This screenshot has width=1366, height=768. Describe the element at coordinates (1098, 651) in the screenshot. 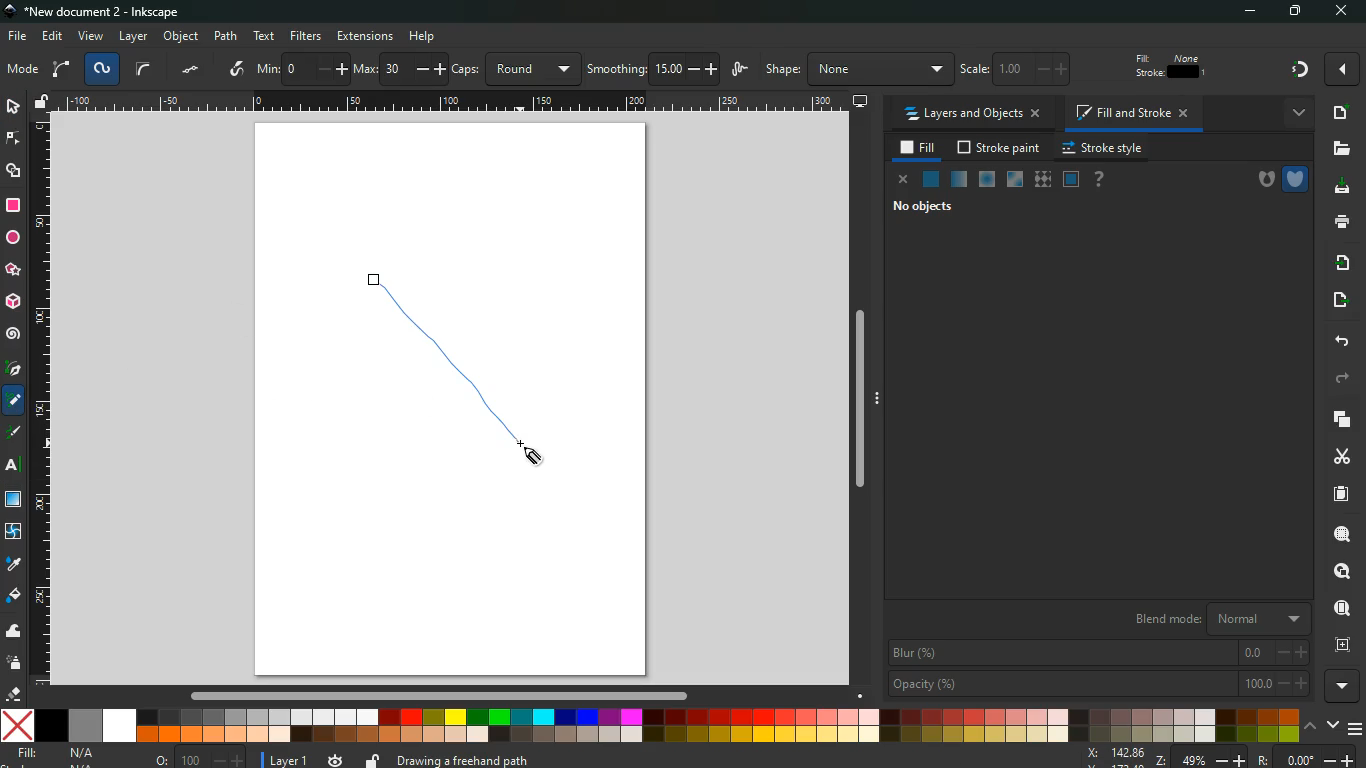

I see `blur` at that location.